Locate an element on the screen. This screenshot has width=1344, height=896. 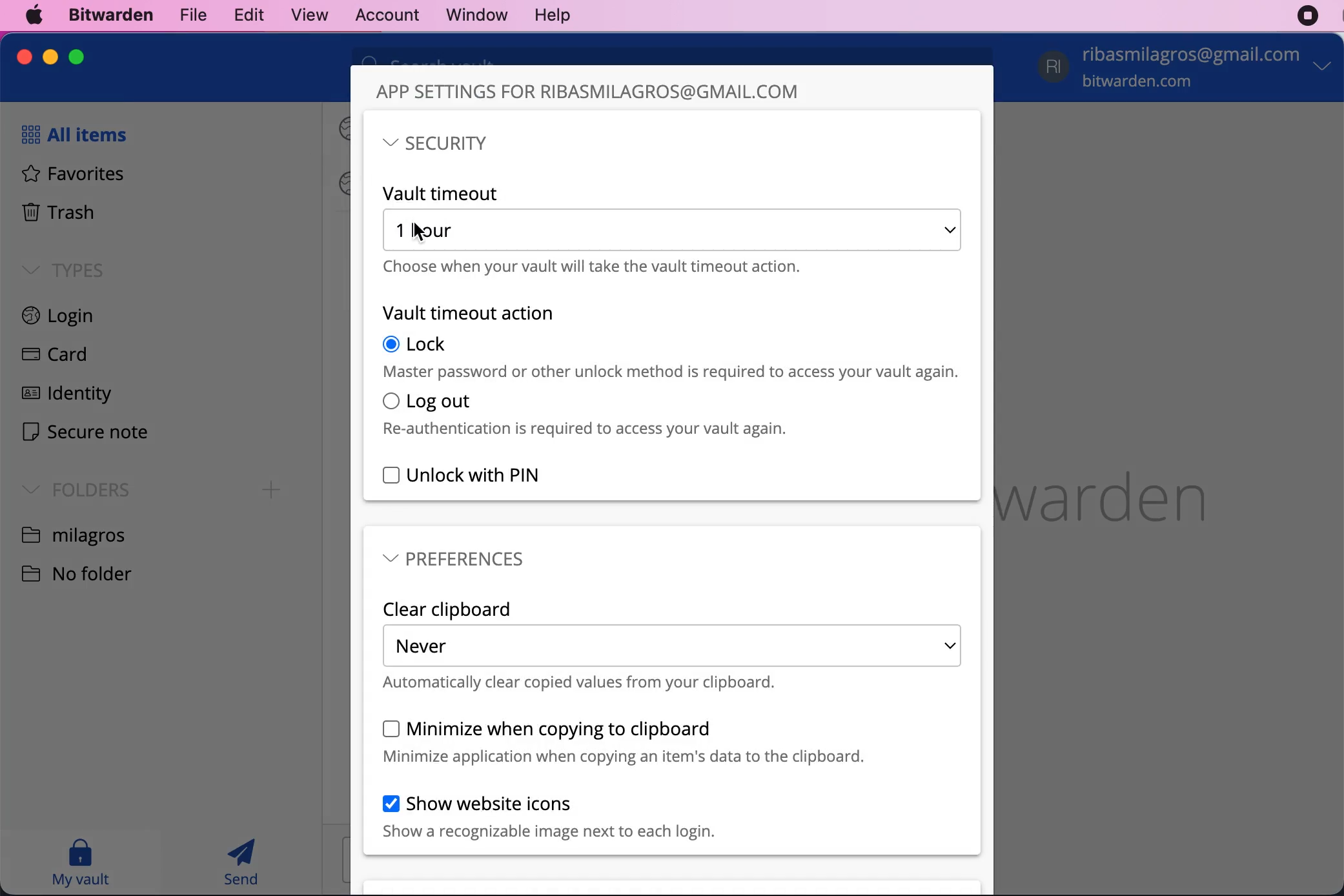
Add folder is located at coordinates (272, 490).